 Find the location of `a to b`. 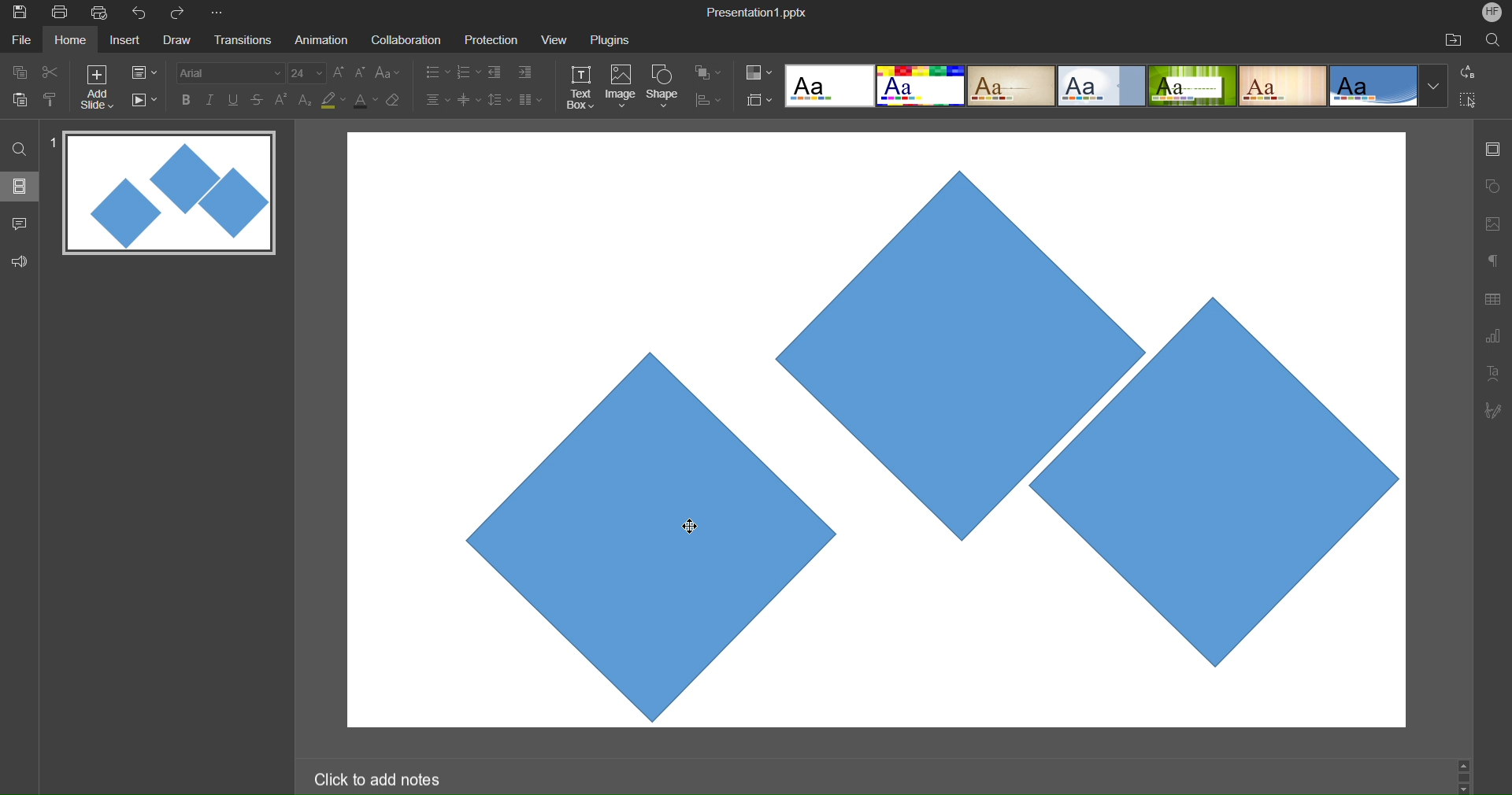

a to b is located at coordinates (1472, 71).